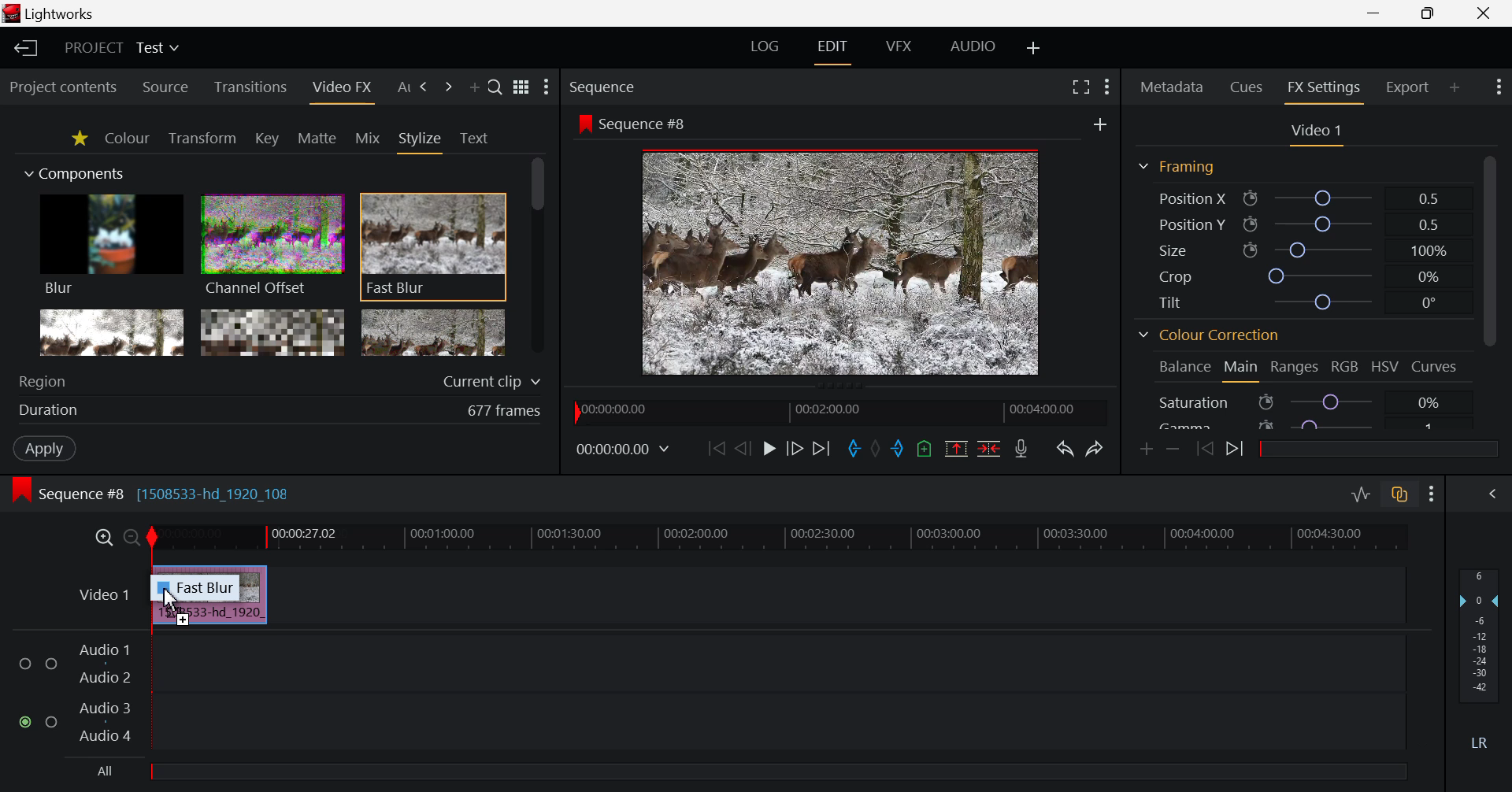 The width and height of the screenshot is (1512, 792). What do you see at coordinates (1096, 450) in the screenshot?
I see `Redo` at bounding box center [1096, 450].